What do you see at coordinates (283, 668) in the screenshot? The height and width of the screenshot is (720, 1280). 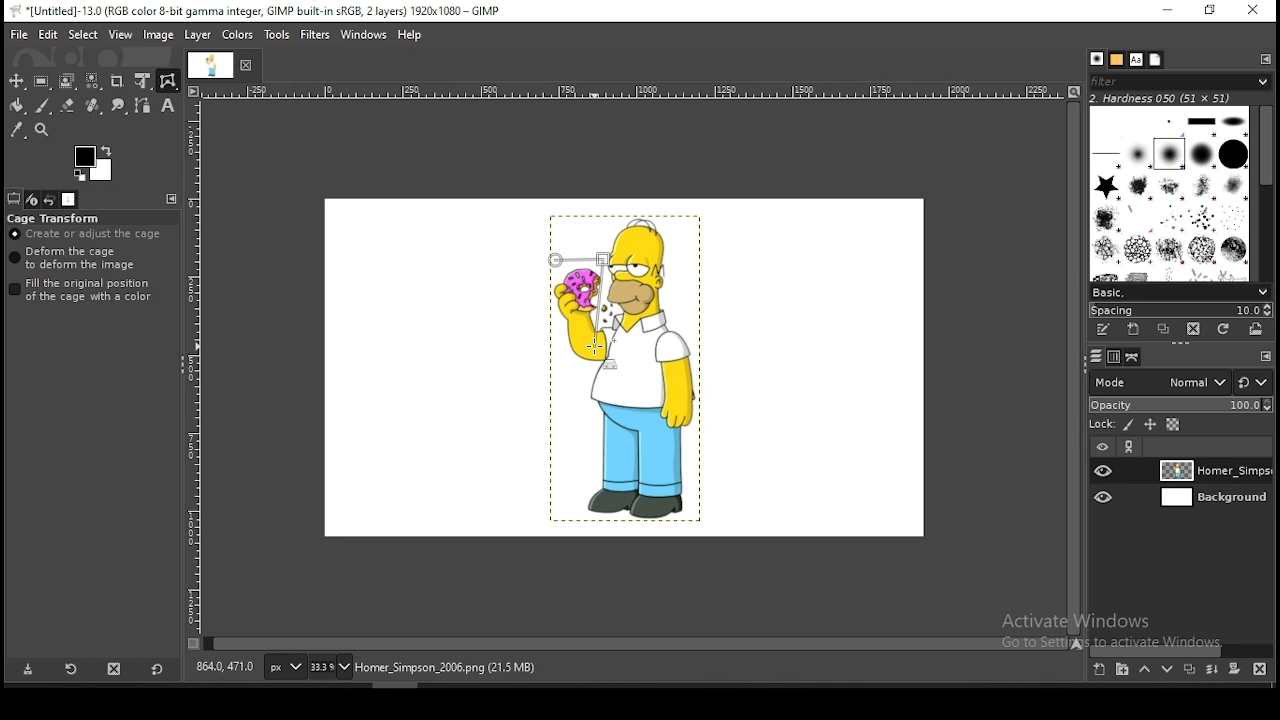 I see `units` at bounding box center [283, 668].